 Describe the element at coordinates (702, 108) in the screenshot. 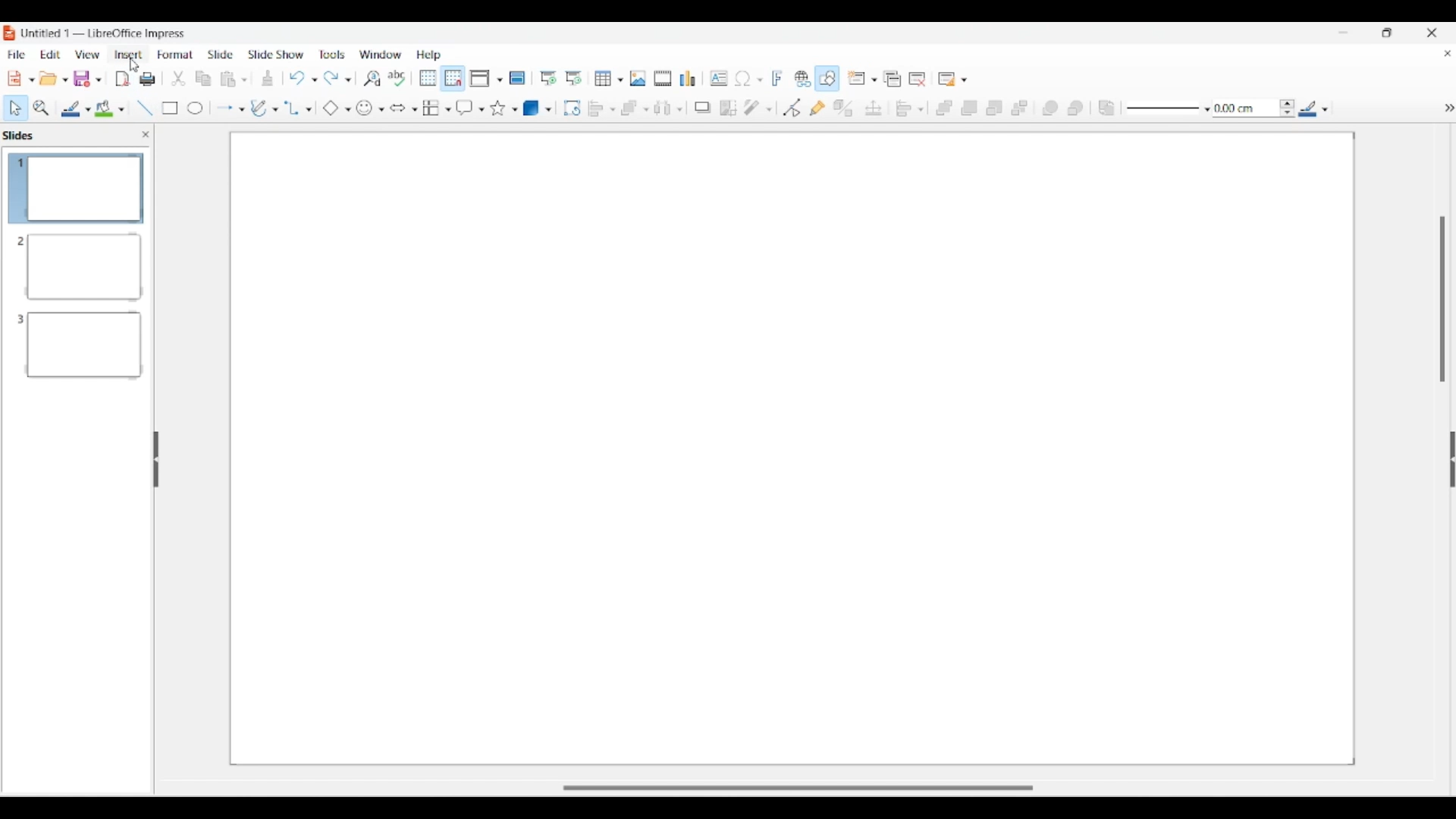

I see `Shadow` at that location.